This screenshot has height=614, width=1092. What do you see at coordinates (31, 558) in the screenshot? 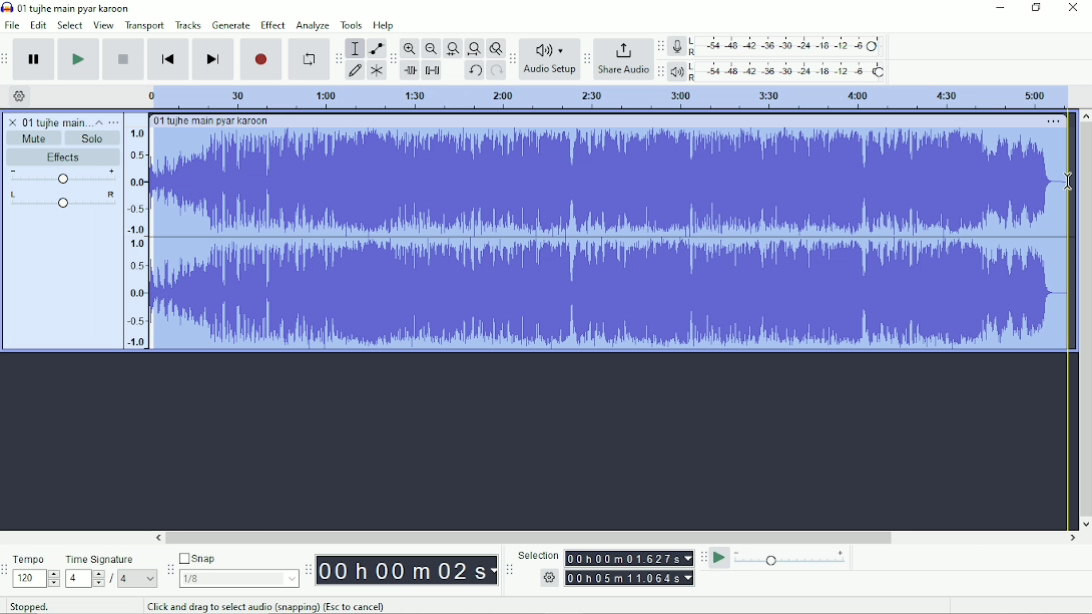
I see `Tempo` at bounding box center [31, 558].